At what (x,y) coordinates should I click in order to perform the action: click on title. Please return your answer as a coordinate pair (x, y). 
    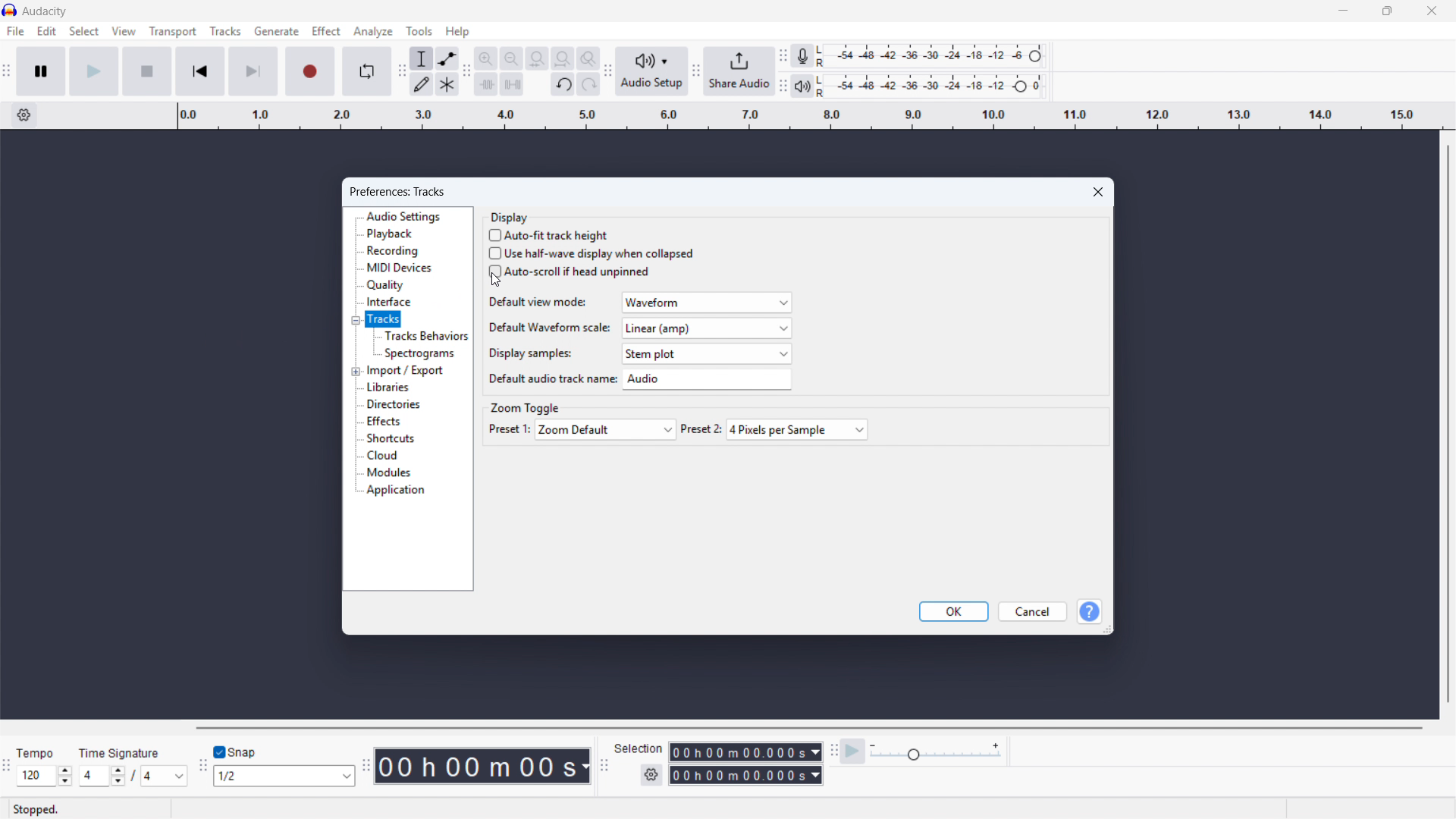
    Looking at the image, I should click on (45, 11).